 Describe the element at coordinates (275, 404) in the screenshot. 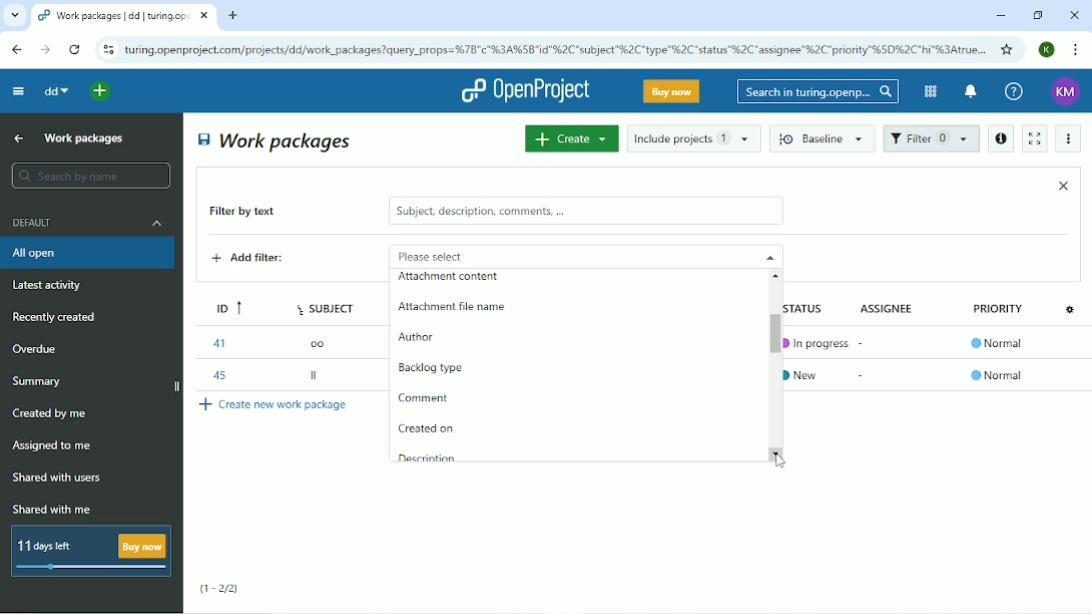

I see `Create new work package` at that location.